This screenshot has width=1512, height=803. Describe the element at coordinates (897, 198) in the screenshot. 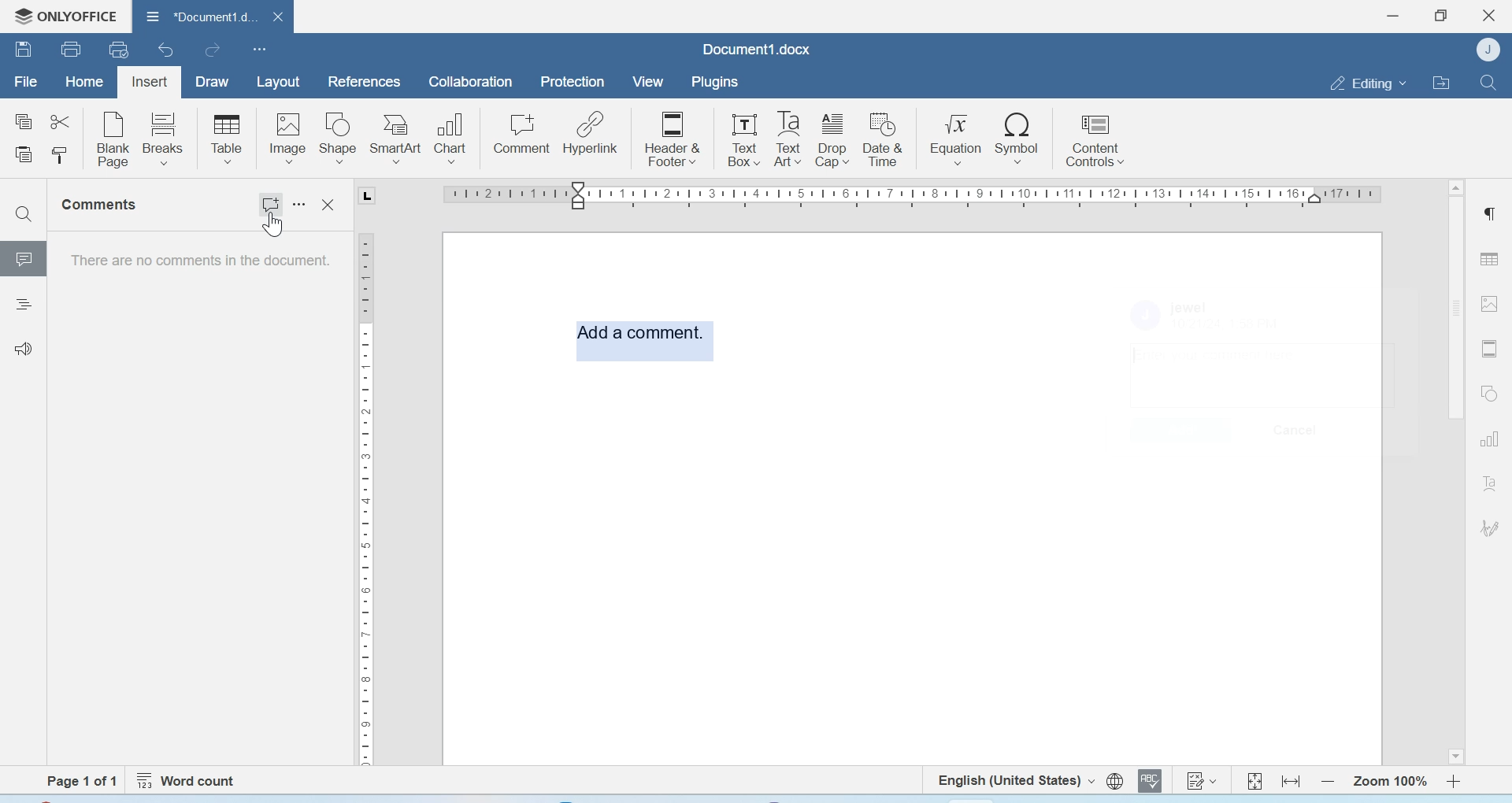

I see `Scale` at that location.